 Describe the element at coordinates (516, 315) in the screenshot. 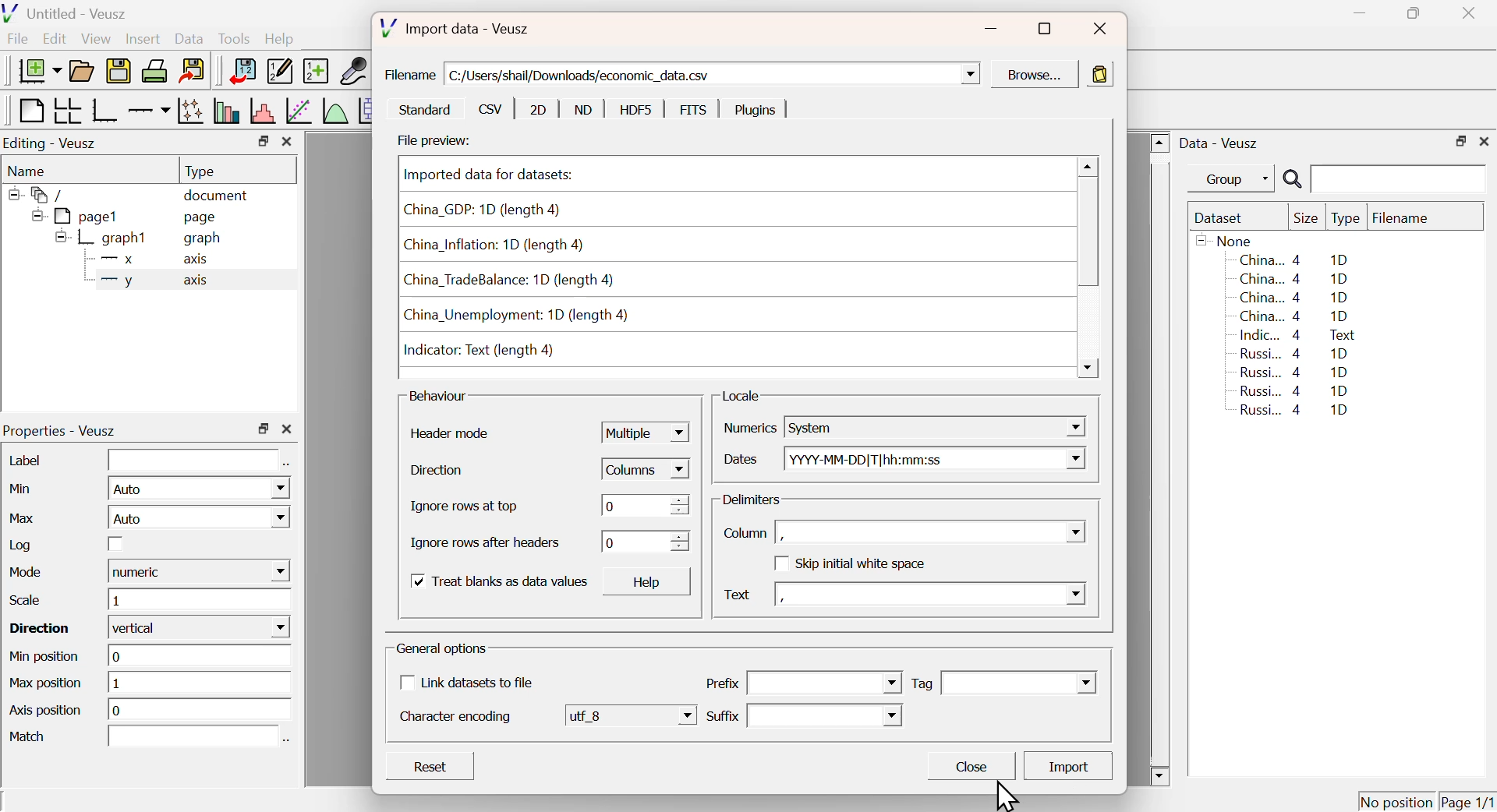

I see `China_Unemployment: 1D (length 4)` at that location.